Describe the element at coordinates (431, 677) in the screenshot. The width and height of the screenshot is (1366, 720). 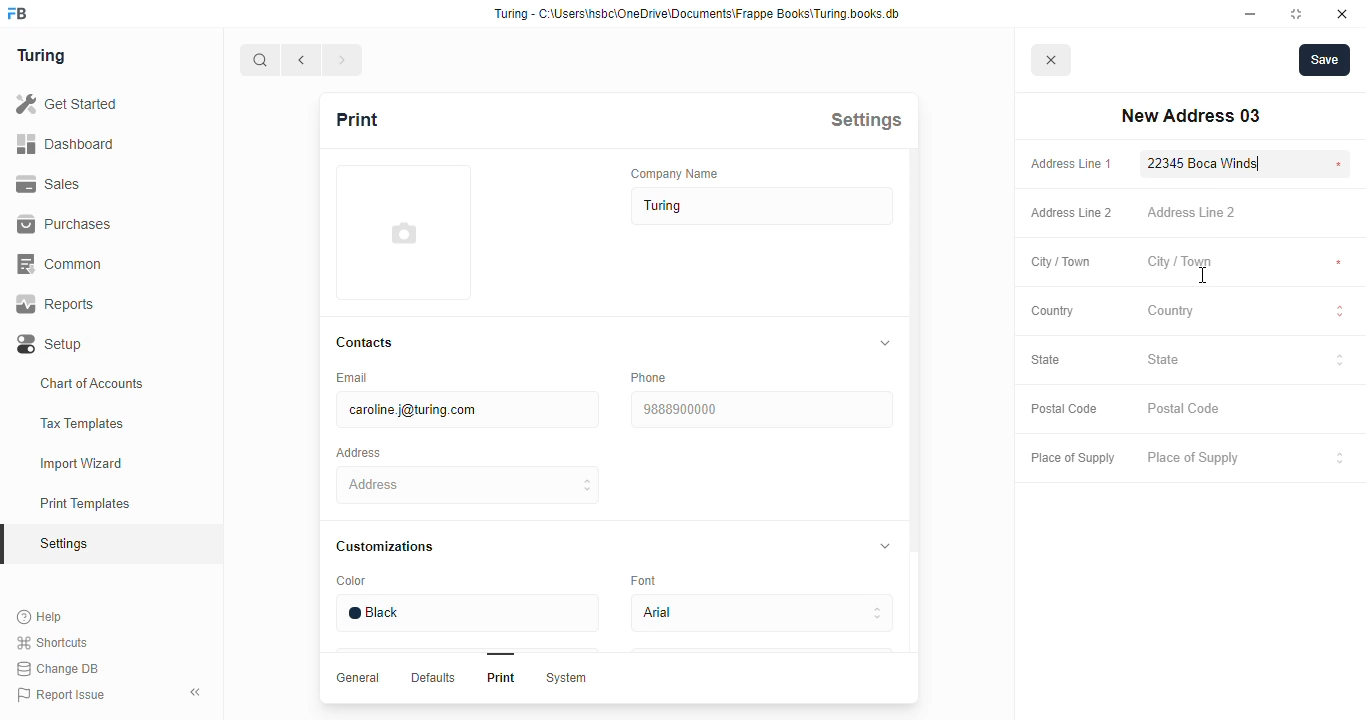
I see `Defaults` at that location.